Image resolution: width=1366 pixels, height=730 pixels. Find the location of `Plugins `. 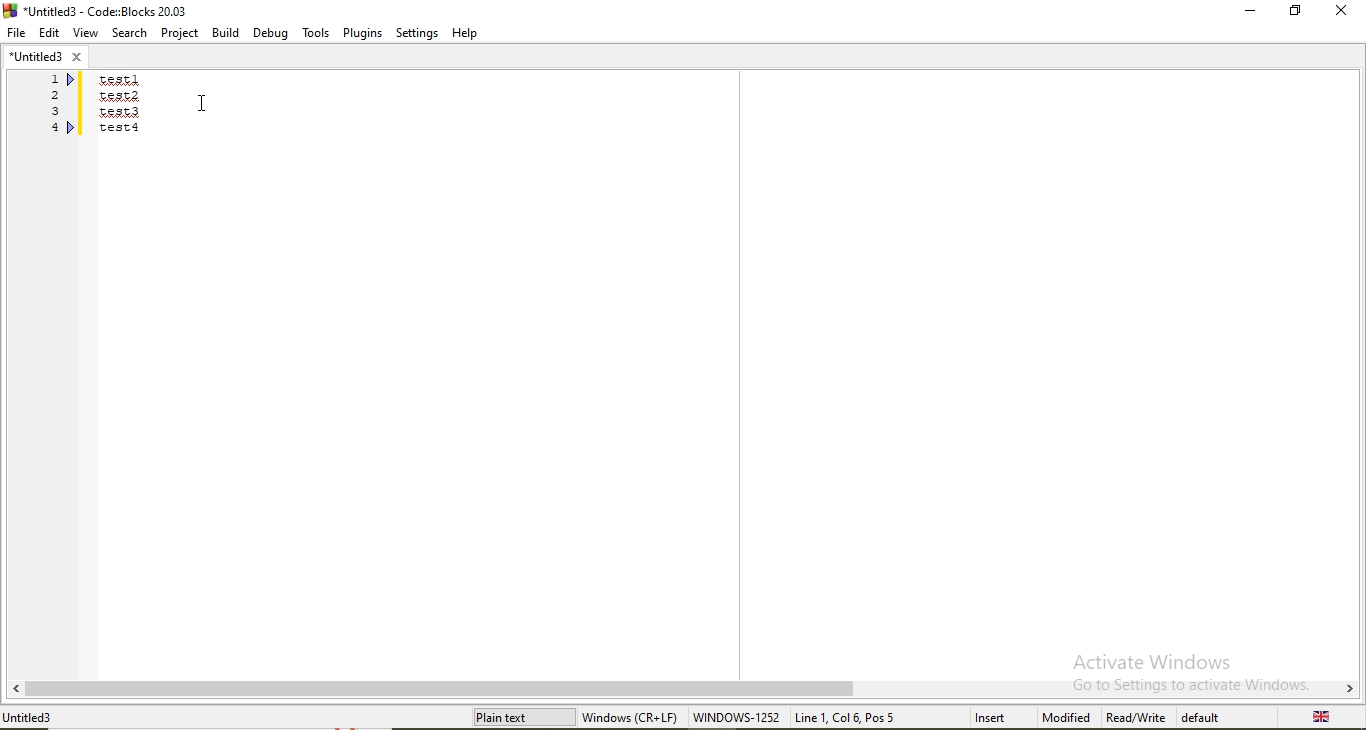

Plugins  is located at coordinates (360, 33).